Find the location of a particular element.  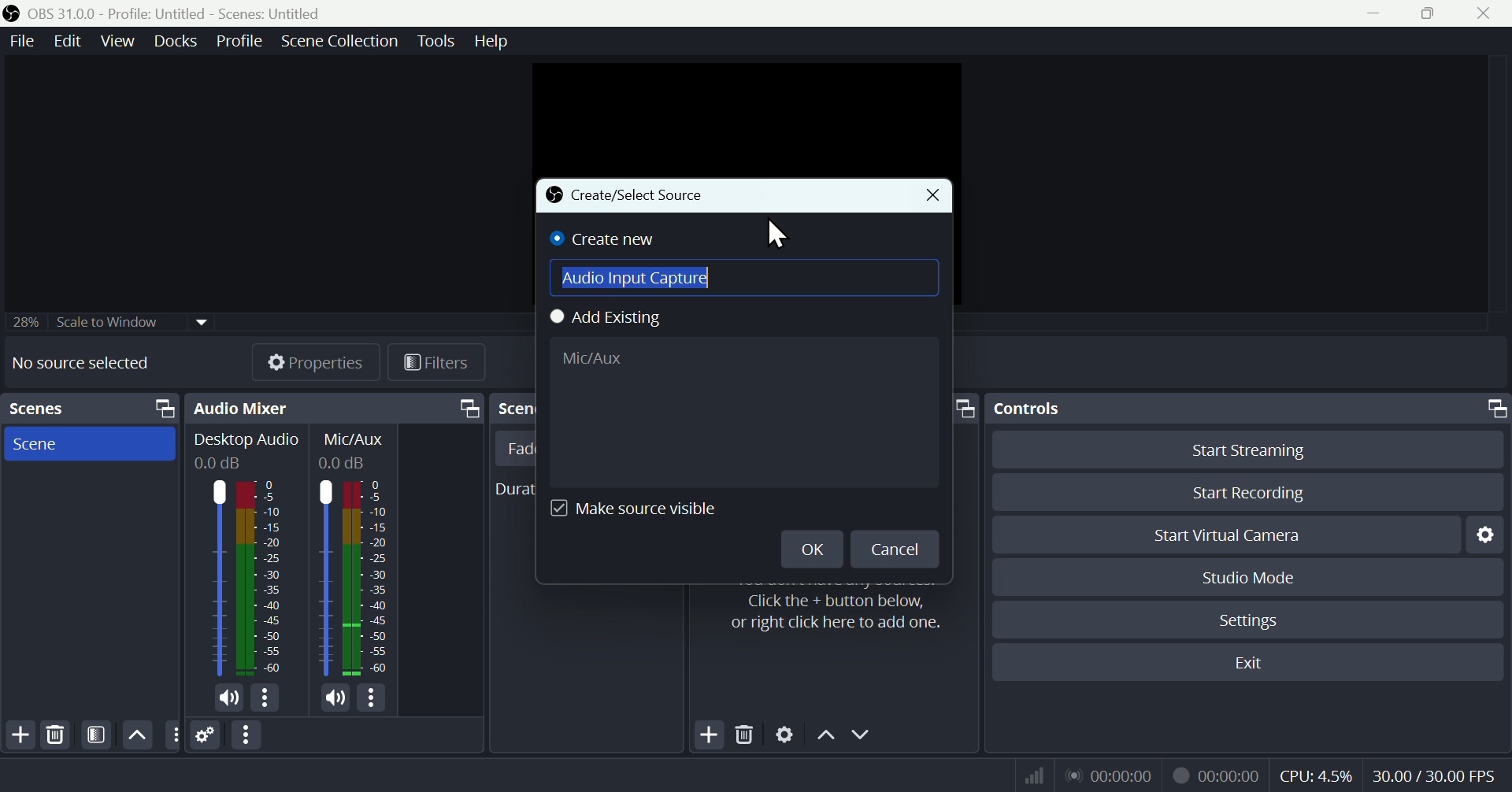

Down is located at coordinates (861, 736).